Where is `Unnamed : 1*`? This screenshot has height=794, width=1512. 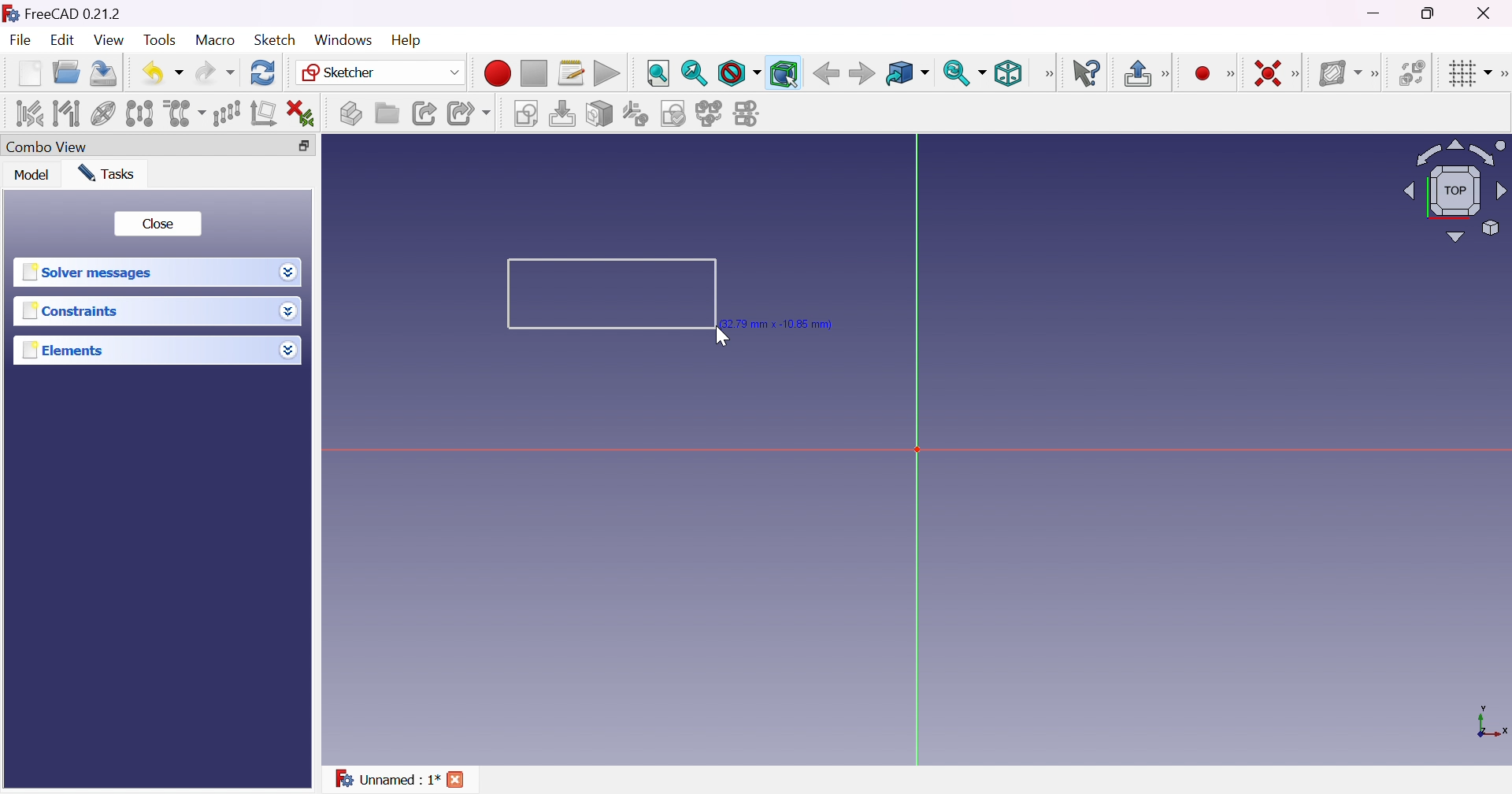
Unnamed : 1* is located at coordinates (386, 779).